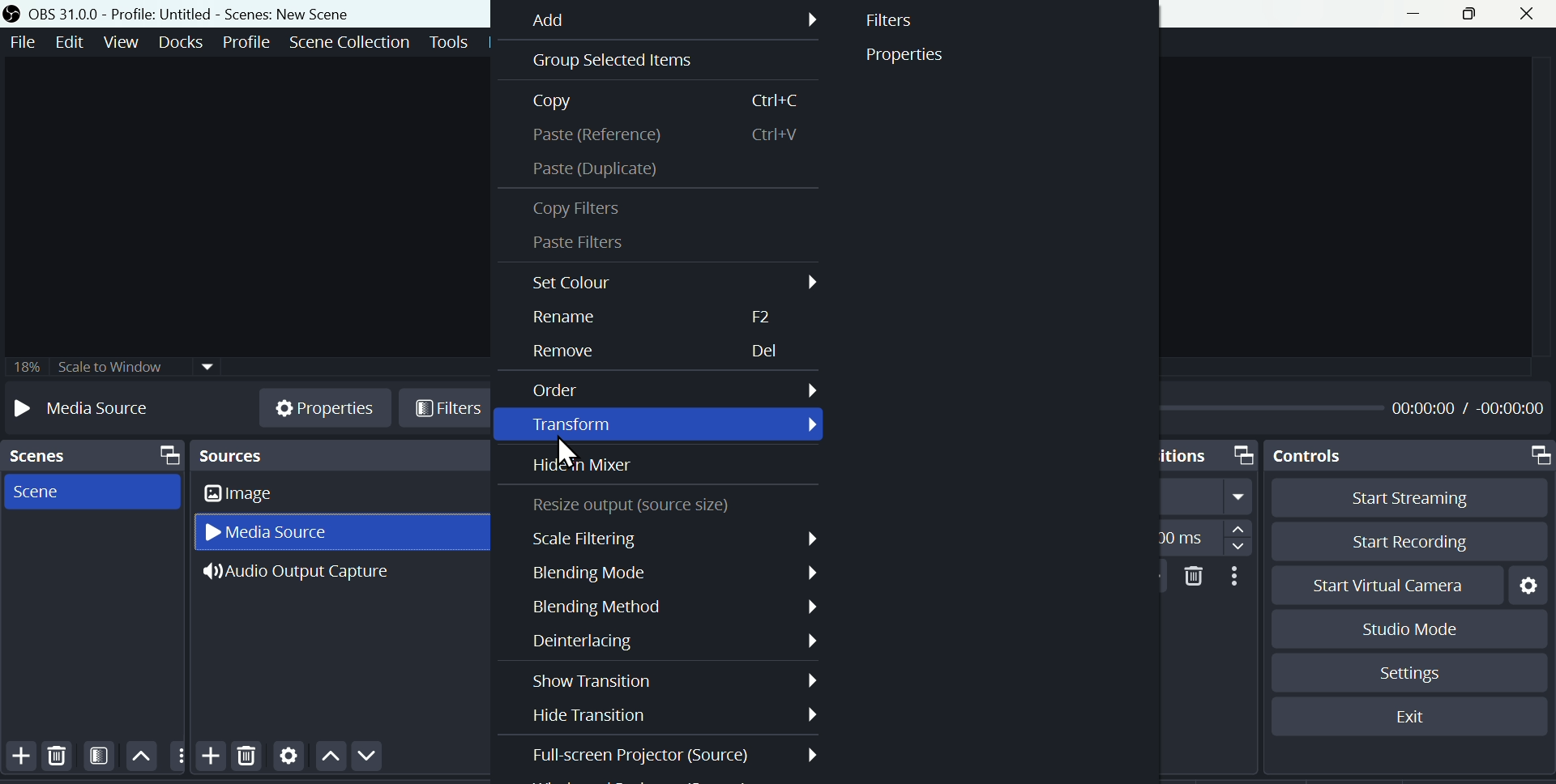  Describe the element at coordinates (671, 572) in the screenshot. I see `Blending mode` at that location.